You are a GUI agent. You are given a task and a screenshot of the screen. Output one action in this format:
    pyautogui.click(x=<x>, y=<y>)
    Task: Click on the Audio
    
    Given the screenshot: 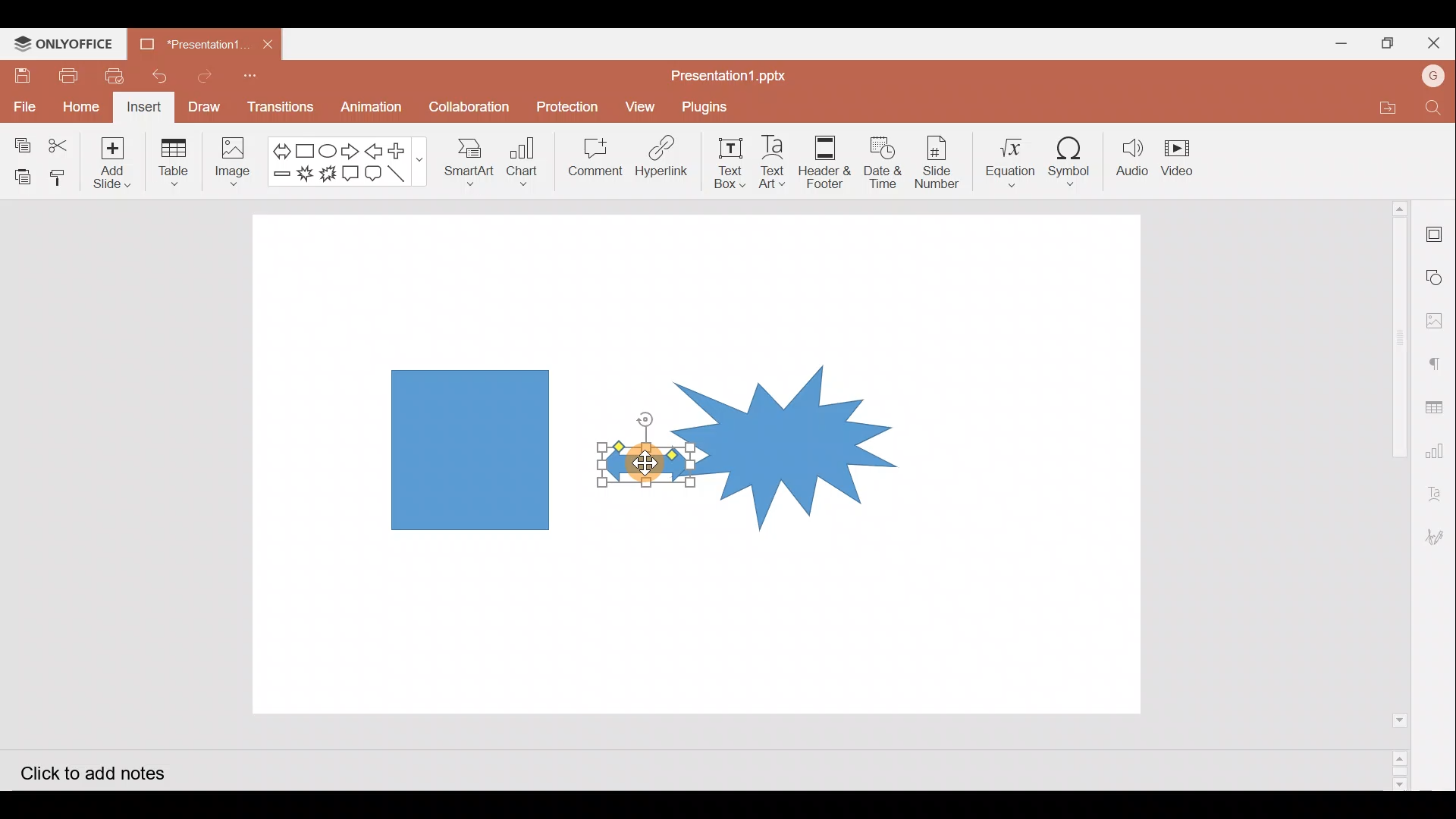 What is the action you would take?
    pyautogui.click(x=1134, y=158)
    